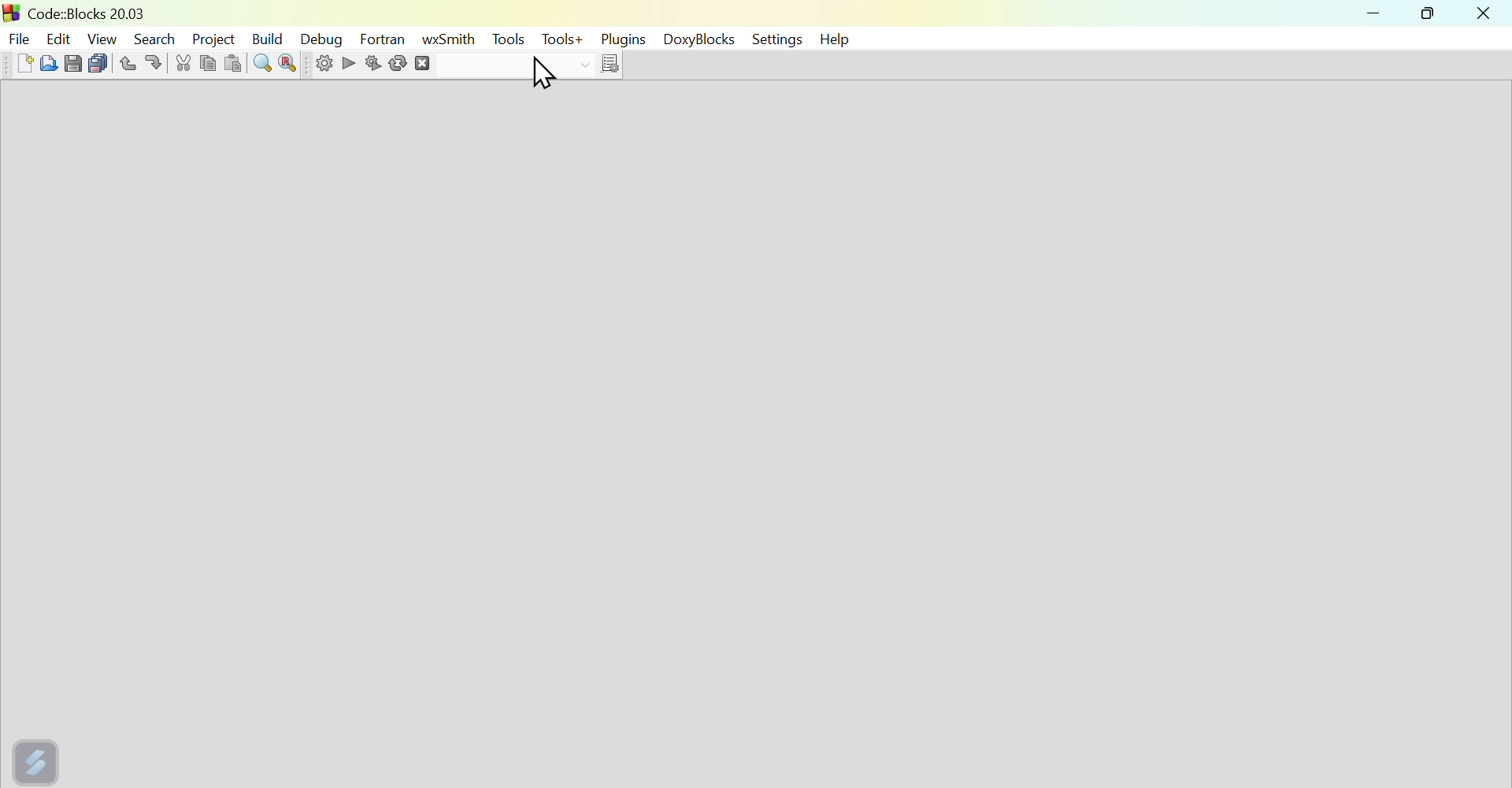  I want to click on Undo, so click(125, 60).